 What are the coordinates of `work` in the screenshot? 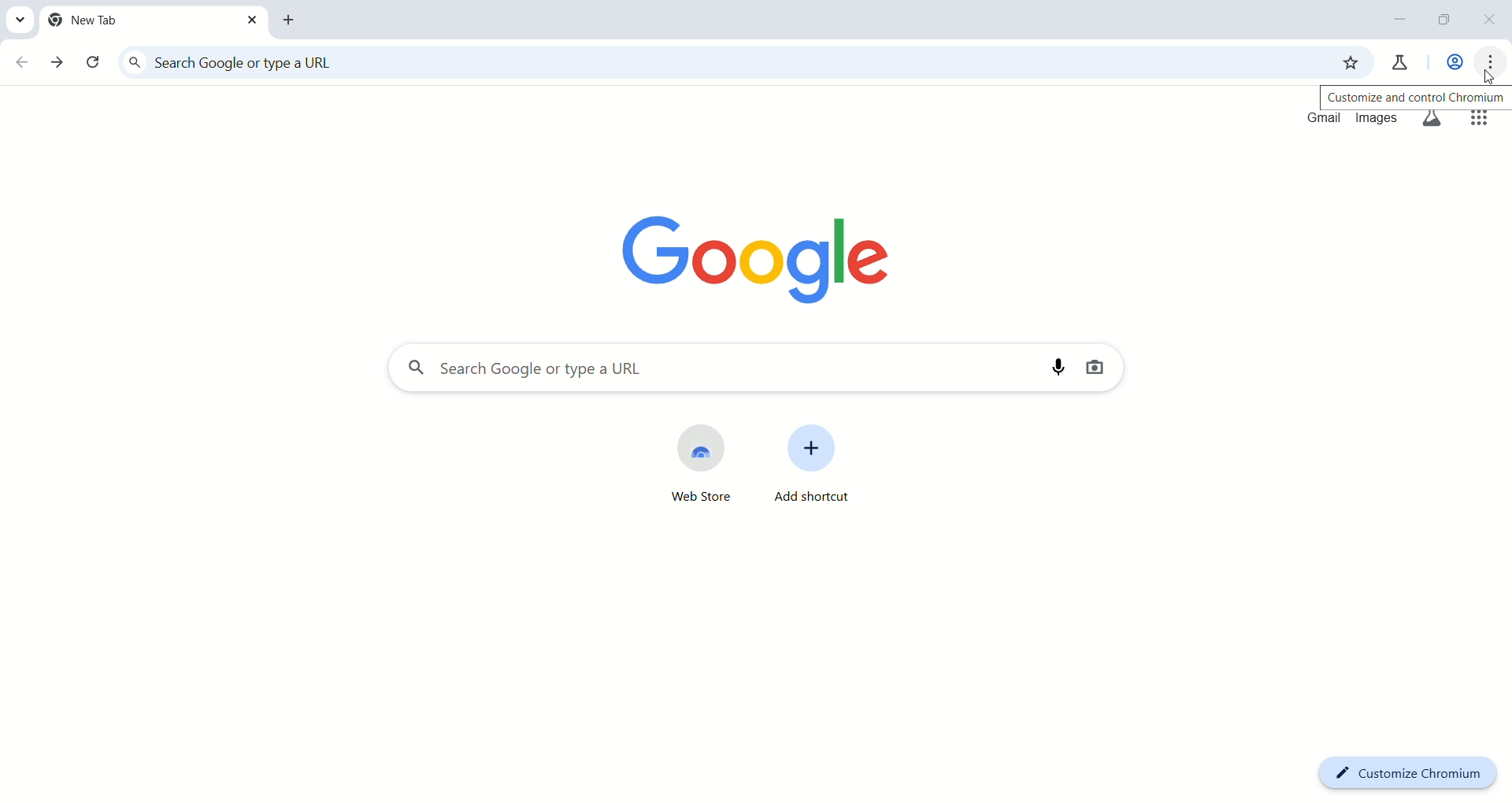 It's located at (1457, 64).